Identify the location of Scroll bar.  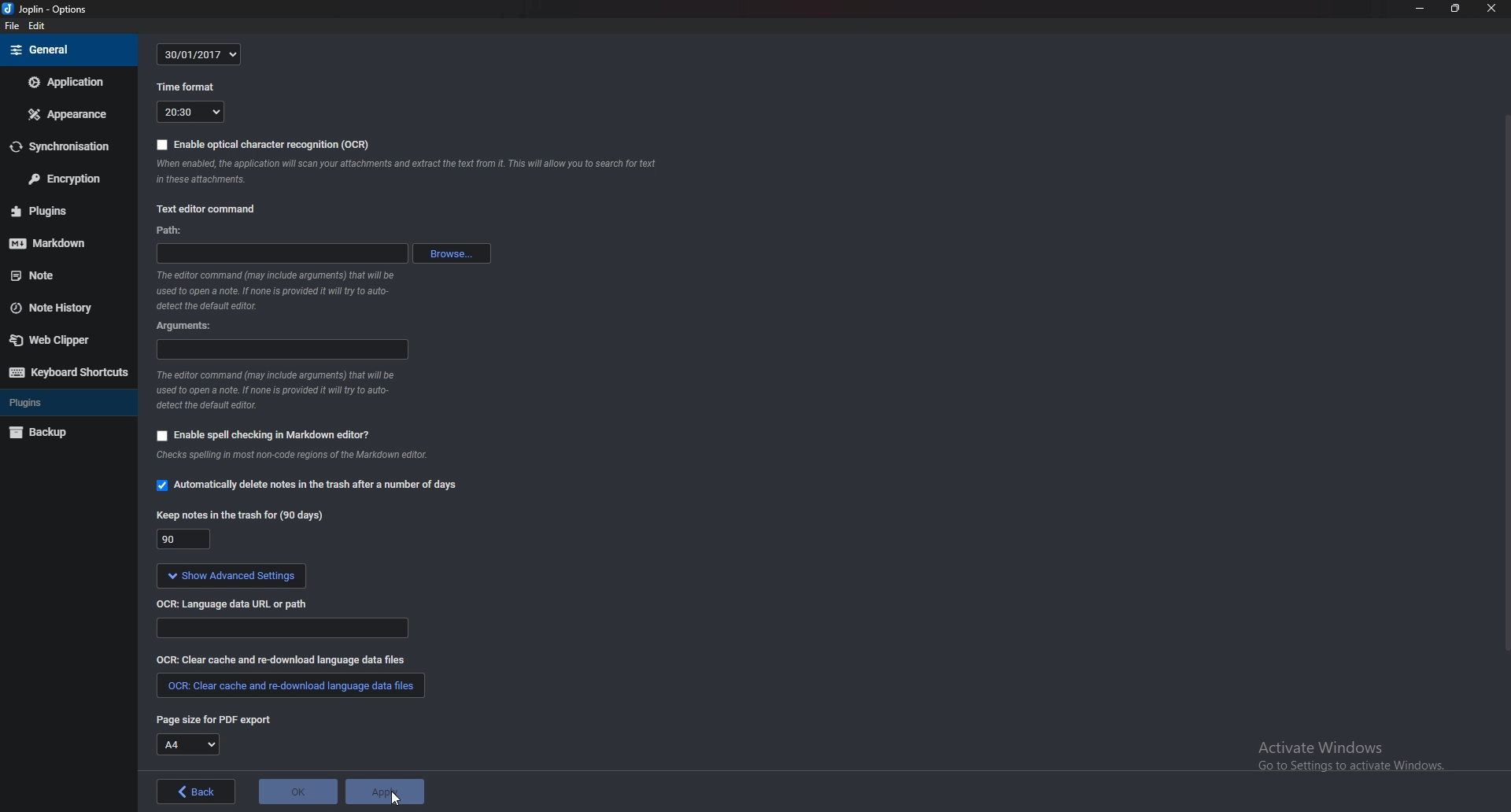
(1498, 375).